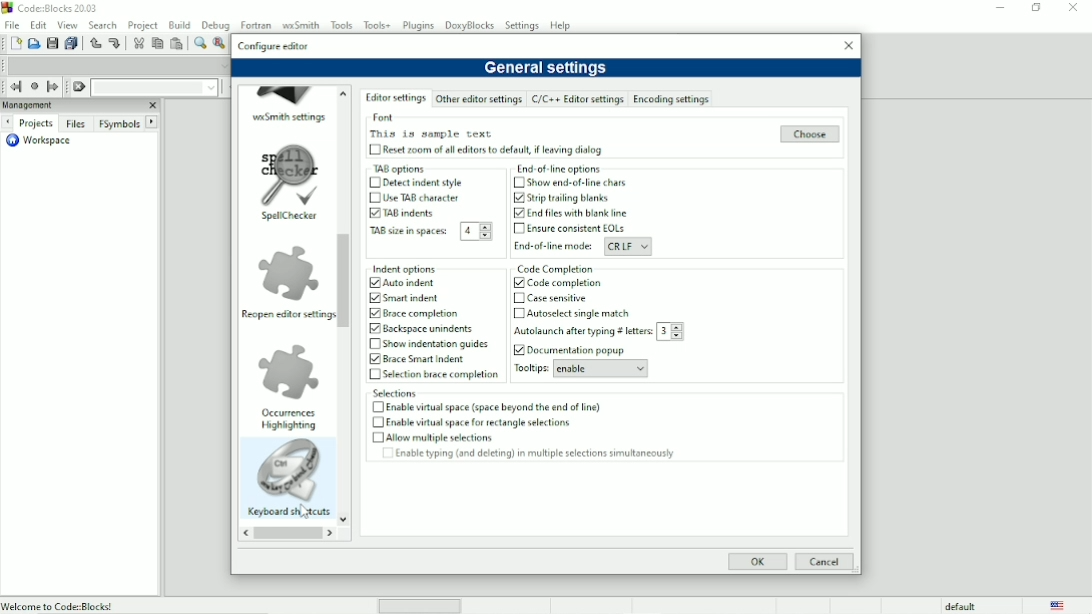 The height and width of the screenshot is (614, 1092). I want to click on Vertical scrollbar, so click(347, 281).